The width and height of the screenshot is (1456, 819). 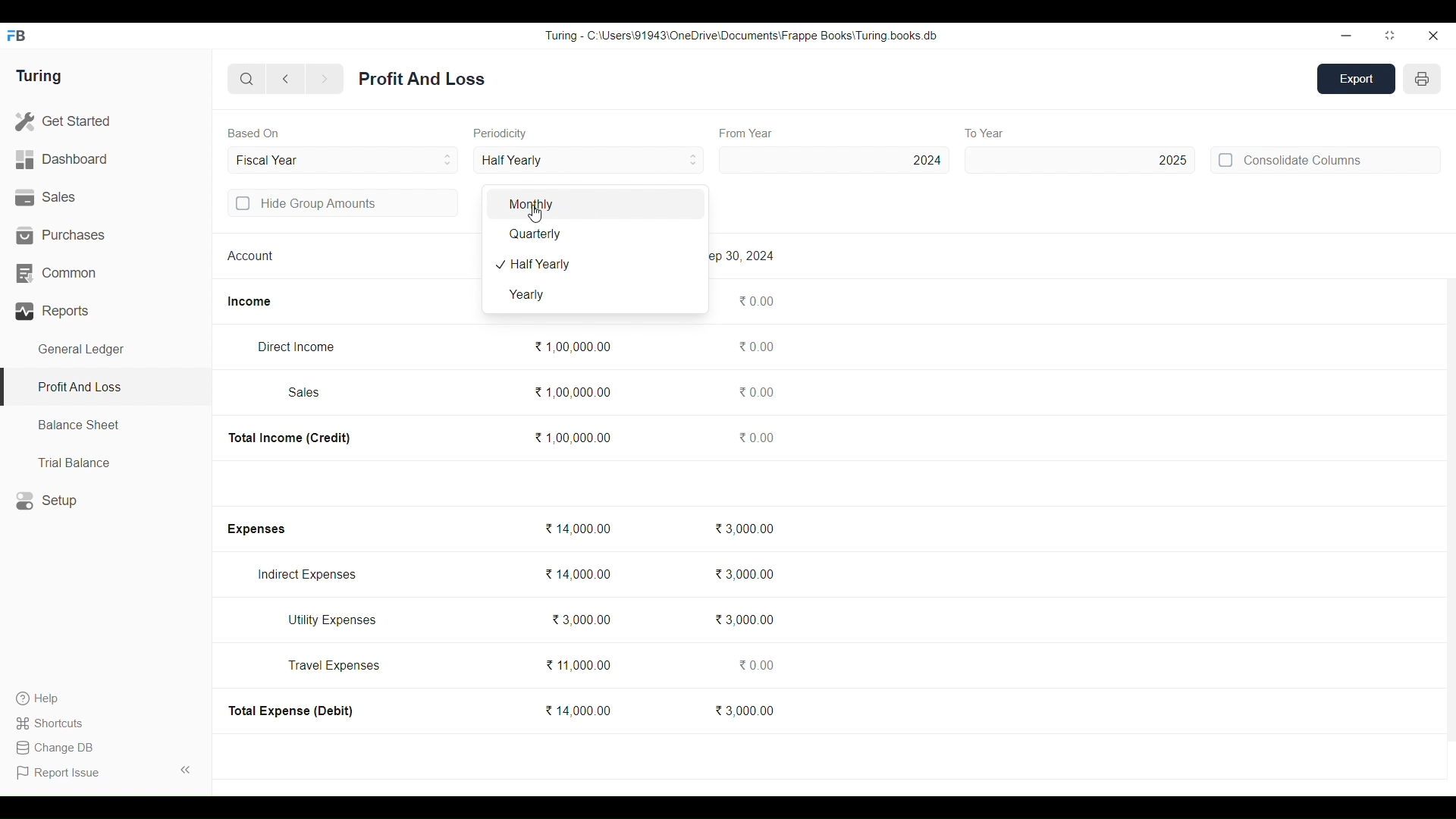 I want to click on Collapse, so click(x=186, y=770).